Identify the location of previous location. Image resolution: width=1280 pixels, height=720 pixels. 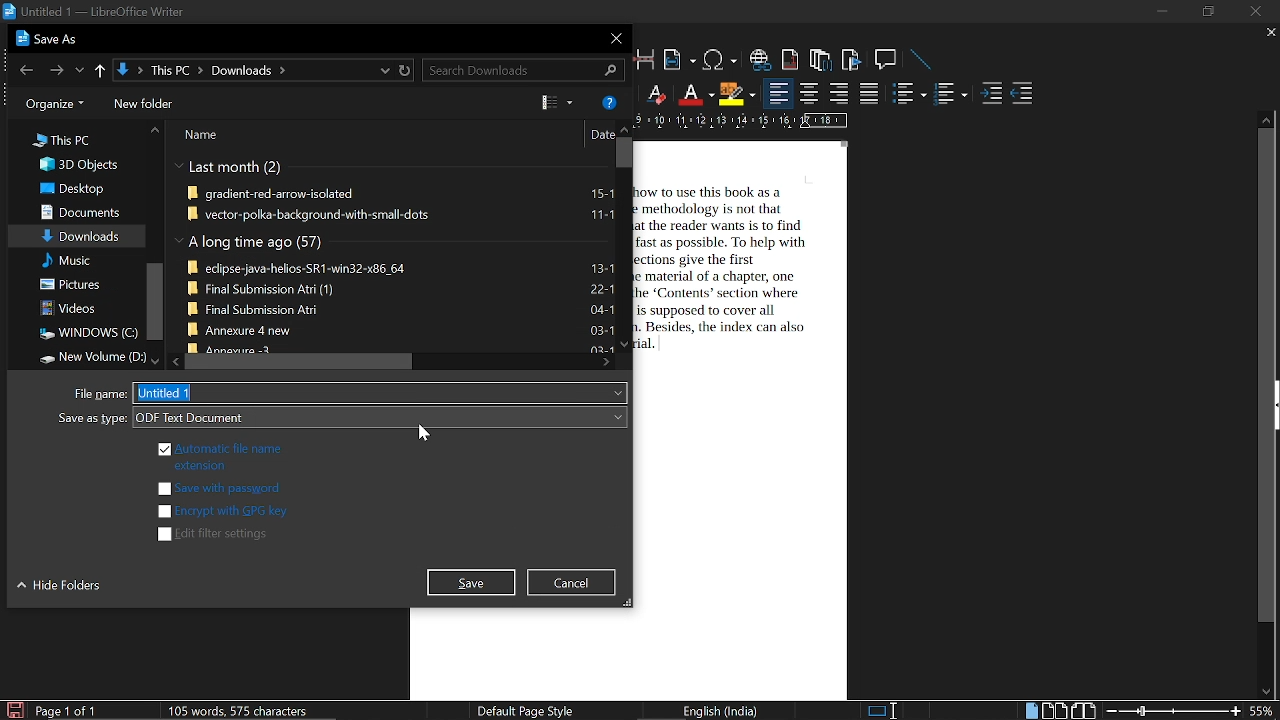
(80, 68).